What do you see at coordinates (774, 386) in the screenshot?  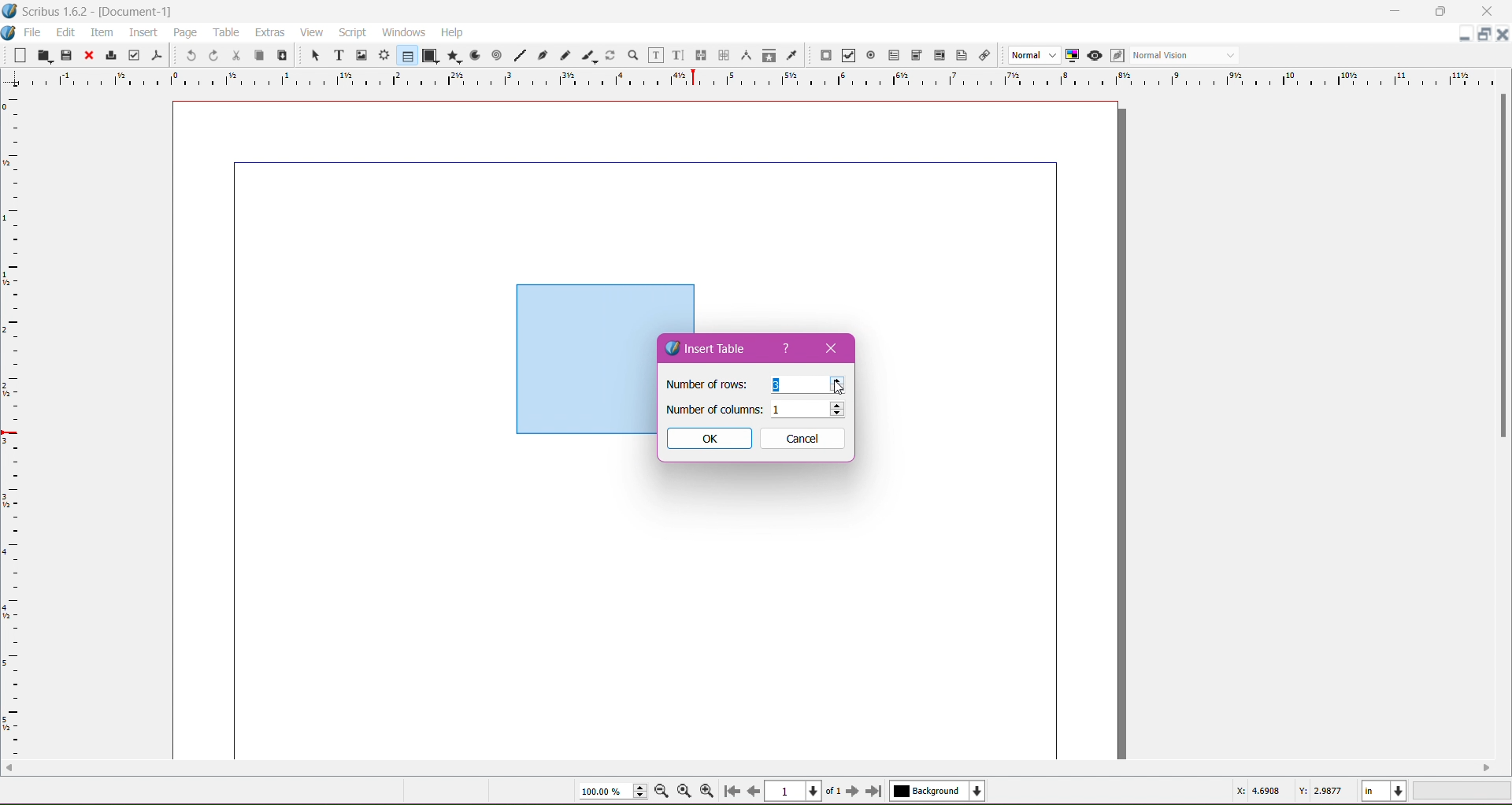 I see `3` at bounding box center [774, 386].